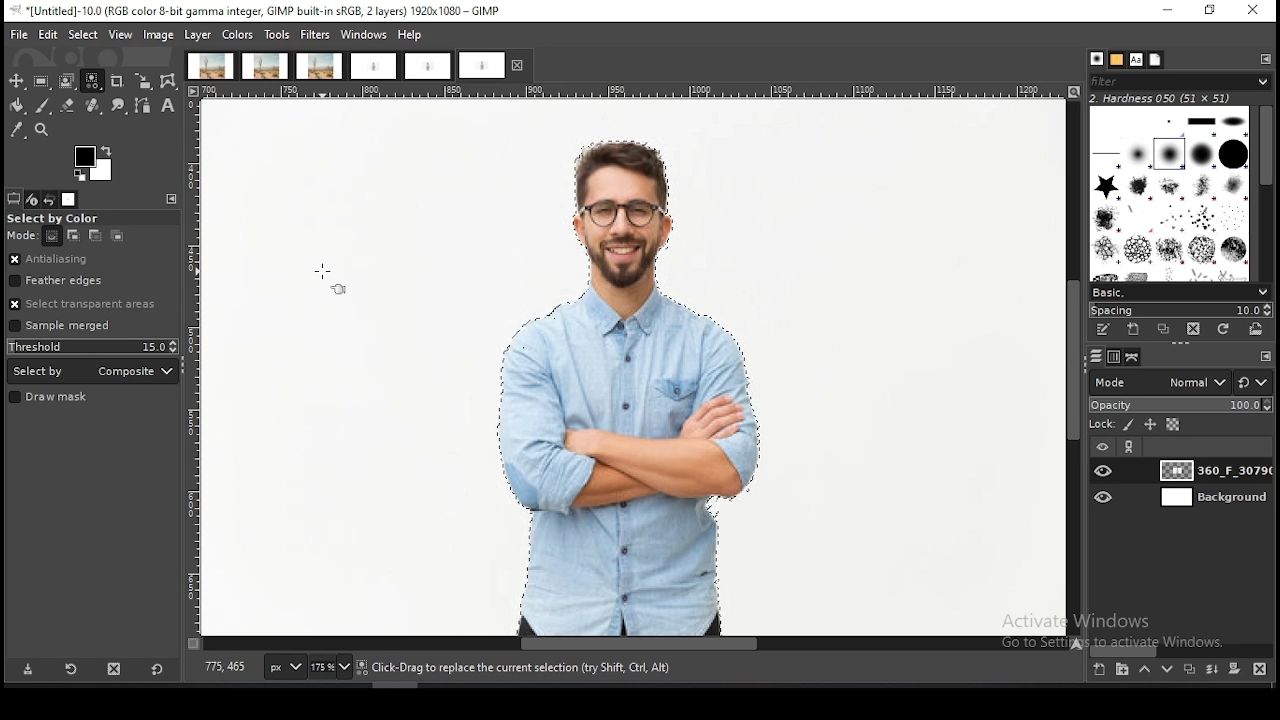  What do you see at coordinates (1221, 330) in the screenshot?
I see `refresh brushes` at bounding box center [1221, 330].